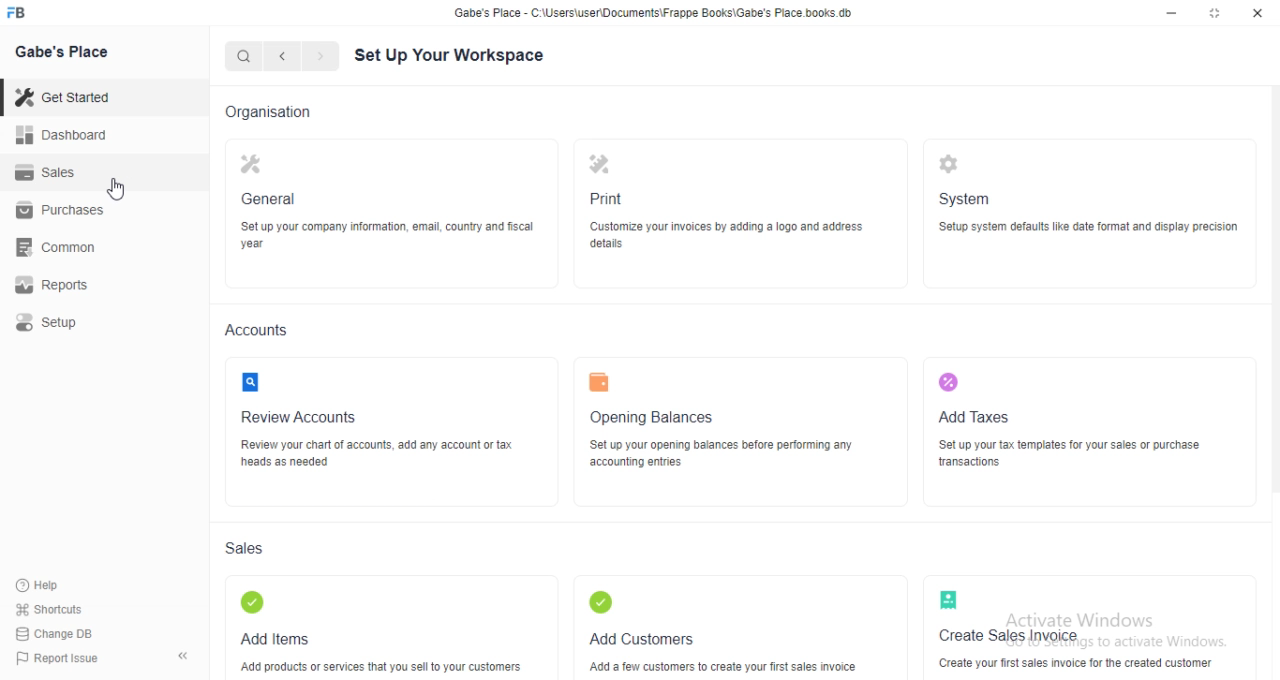 Image resolution: width=1280 pixels, height=680 pixels. I want to click on Organisation, so click(270, 109).